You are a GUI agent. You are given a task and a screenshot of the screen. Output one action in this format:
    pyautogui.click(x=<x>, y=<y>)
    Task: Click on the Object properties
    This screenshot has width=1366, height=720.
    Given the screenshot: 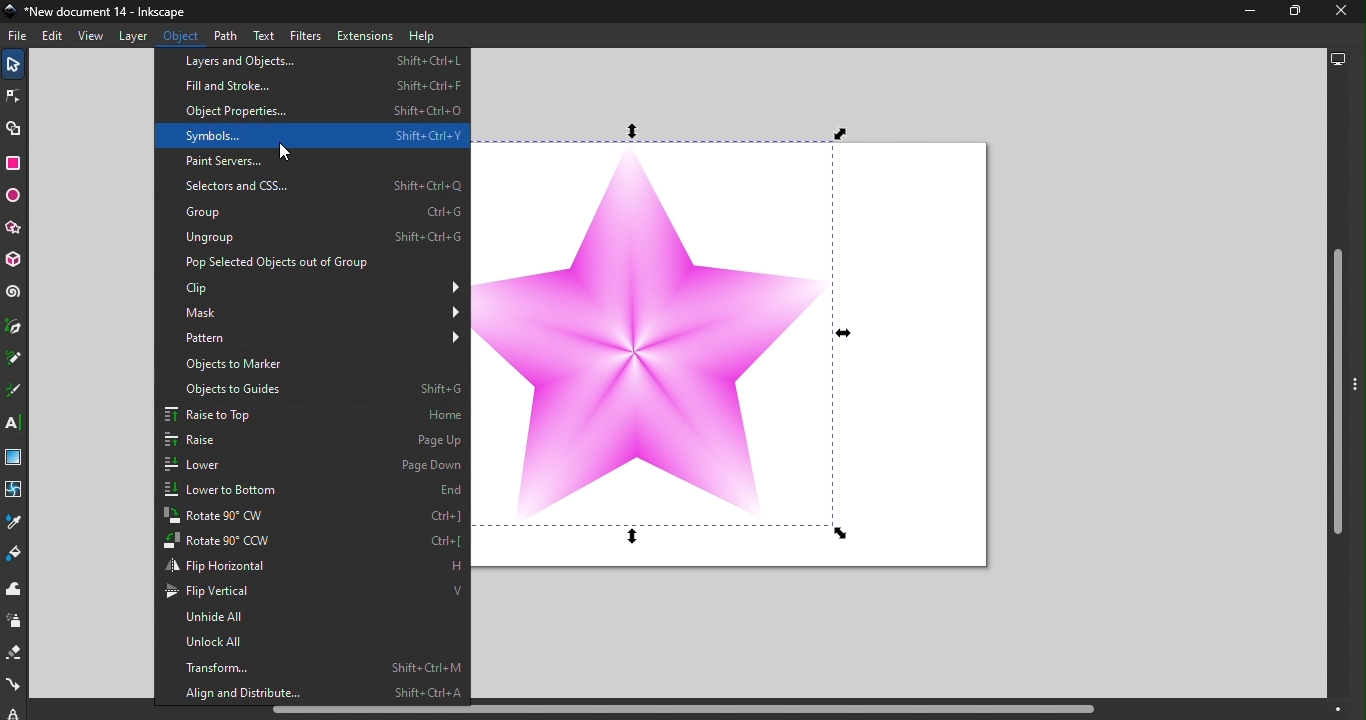 What is the action you would take?
    pyautogui.click(x=312, y=111)
    